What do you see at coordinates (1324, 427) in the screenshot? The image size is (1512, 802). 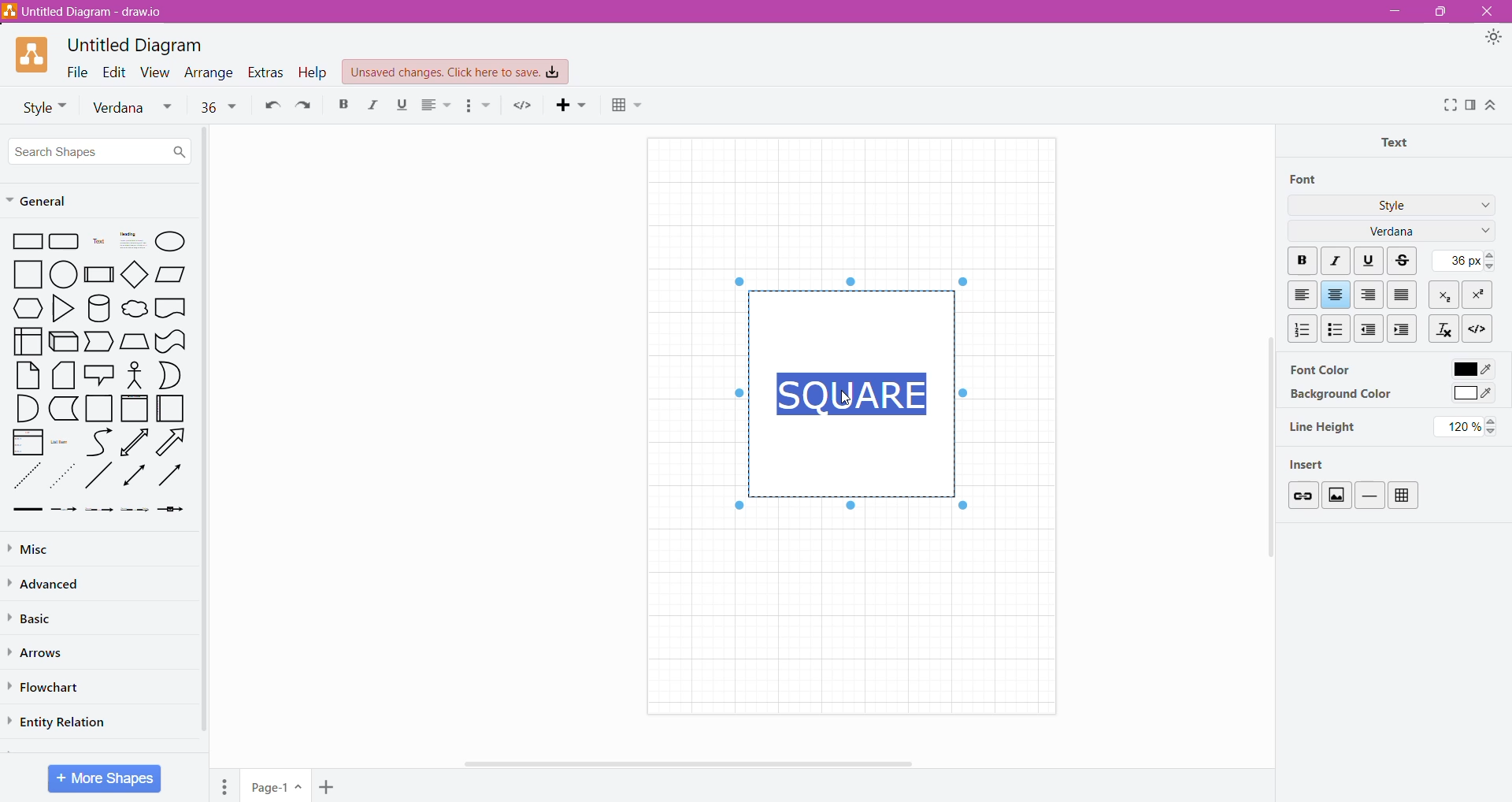 I see `Line Height` at bounding box center [1324, 427].